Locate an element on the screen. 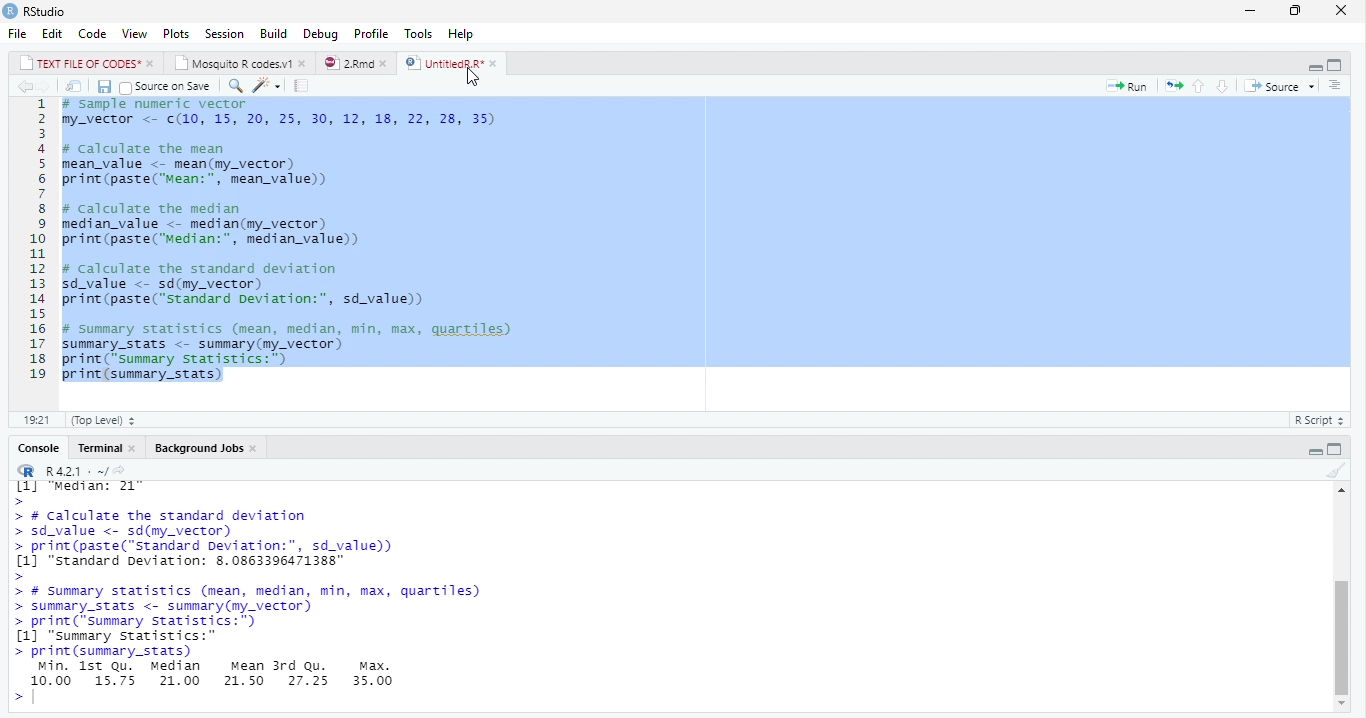 This screenshot has width=1366, height=718. code is located at coordinates (93, 33).